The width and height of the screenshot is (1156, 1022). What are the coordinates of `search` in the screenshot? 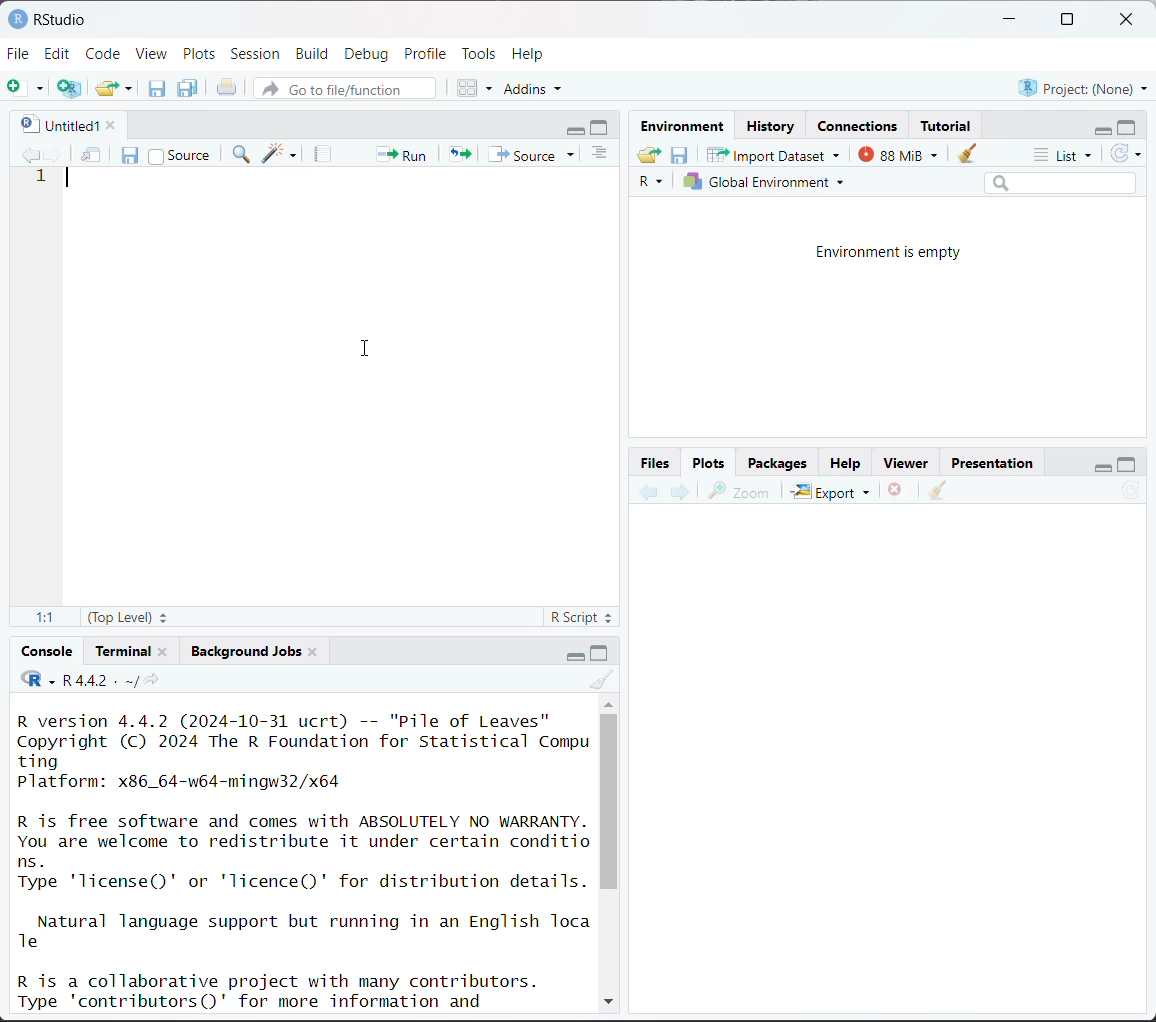 It's located at (1060, 182).